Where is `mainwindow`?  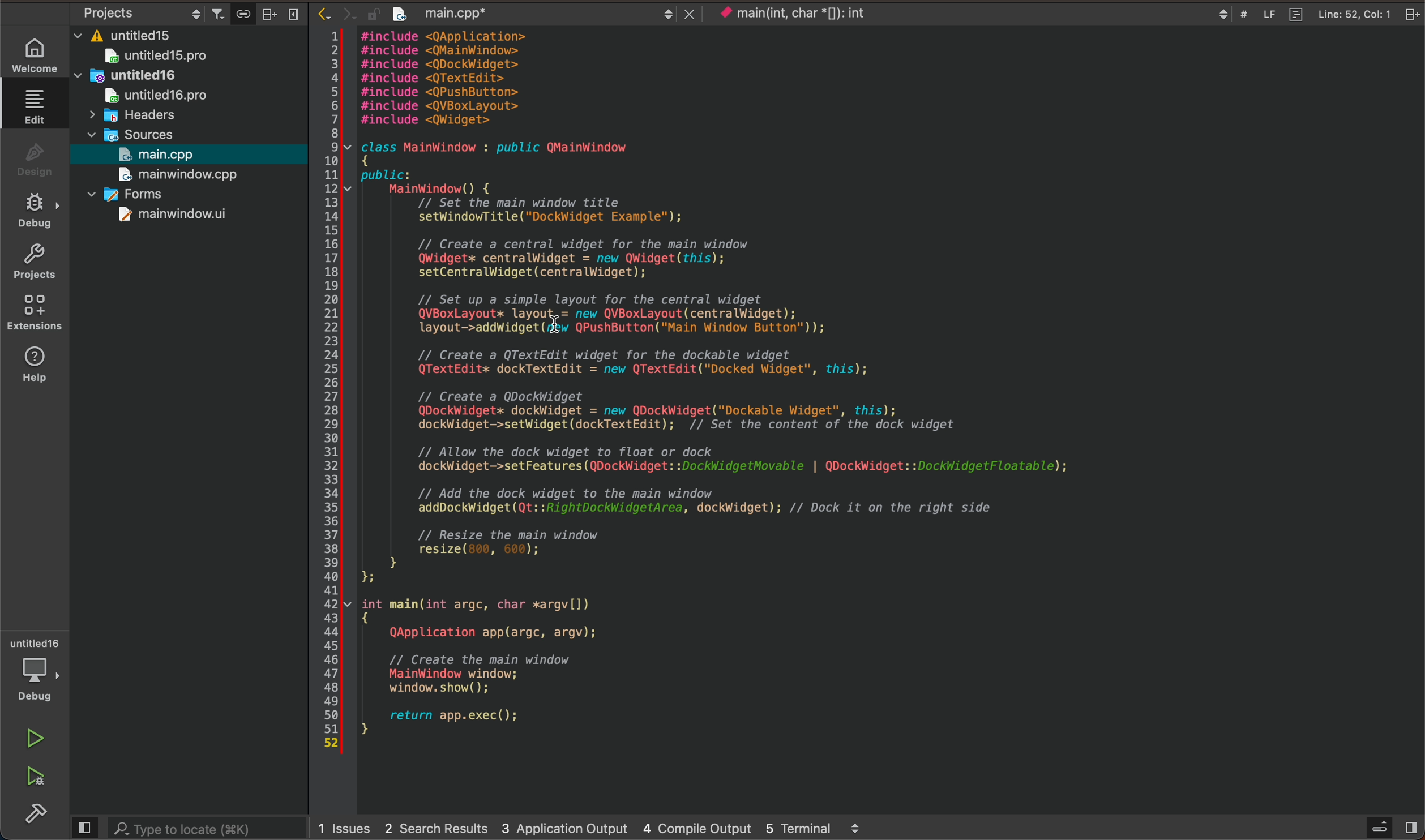
mainwindow is located at coordinates (172, 216).